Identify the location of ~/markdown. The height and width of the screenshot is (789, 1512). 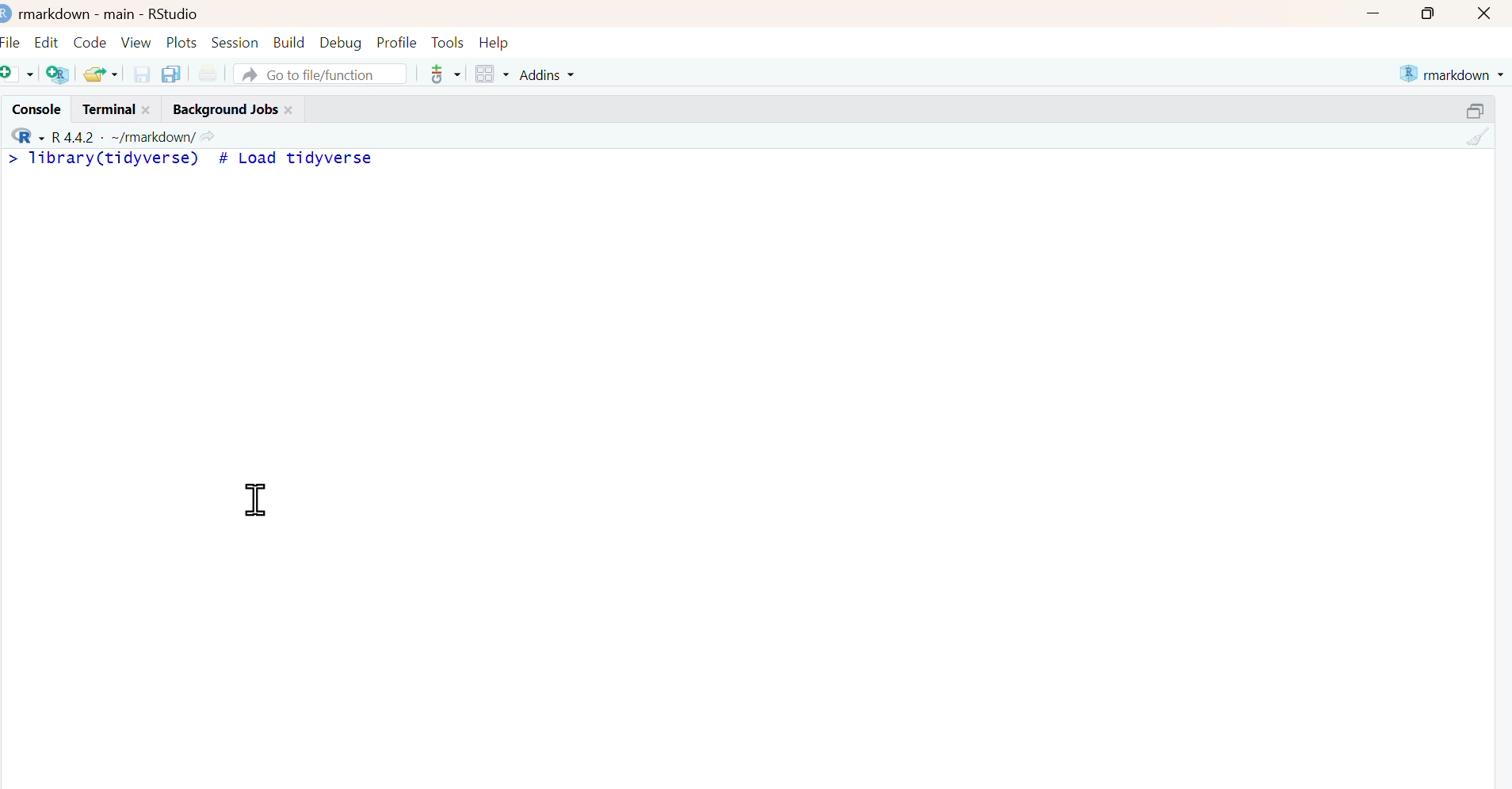
(151, 135).